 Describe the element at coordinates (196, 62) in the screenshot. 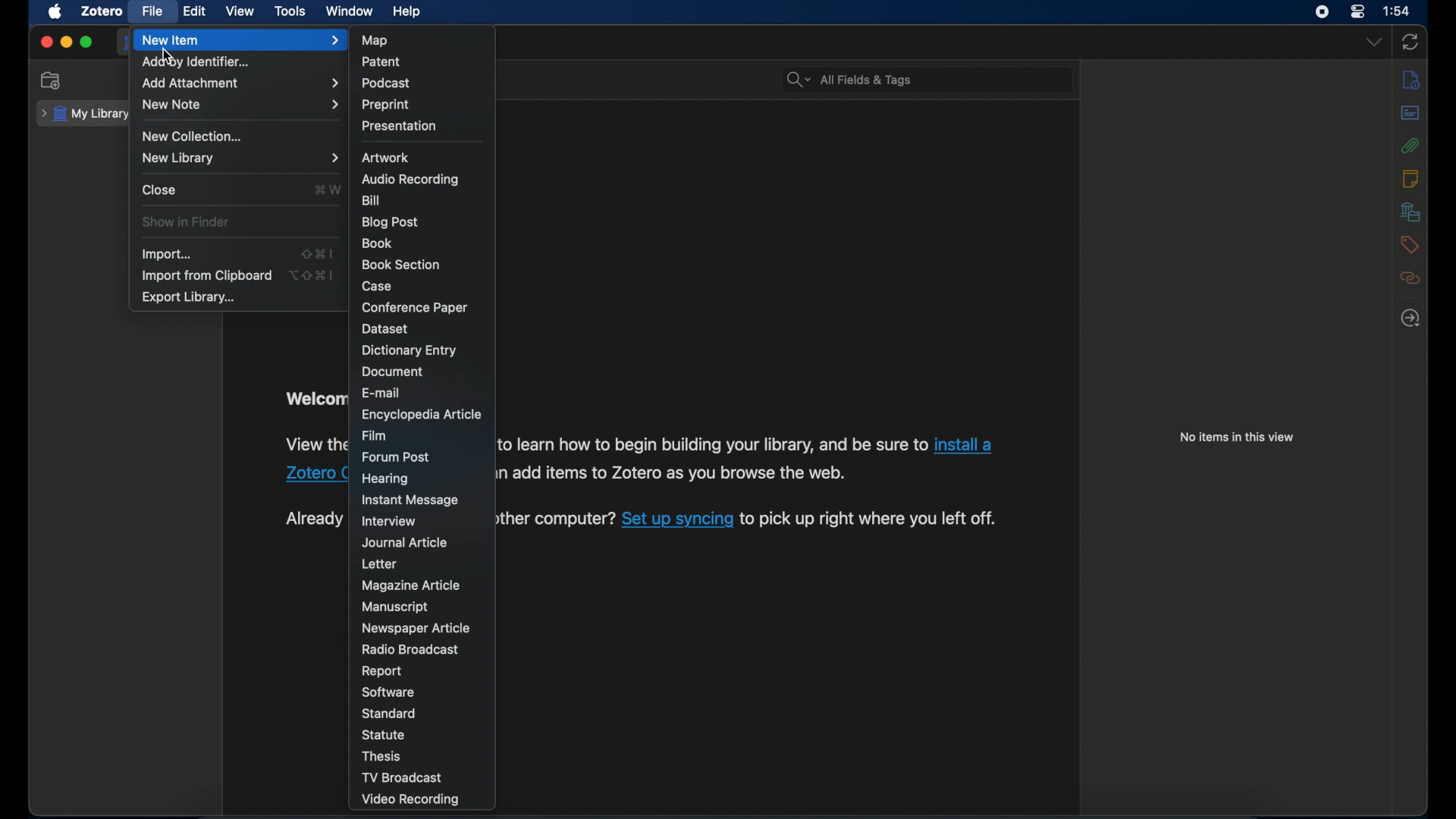

I see `add by identifier` at that location.